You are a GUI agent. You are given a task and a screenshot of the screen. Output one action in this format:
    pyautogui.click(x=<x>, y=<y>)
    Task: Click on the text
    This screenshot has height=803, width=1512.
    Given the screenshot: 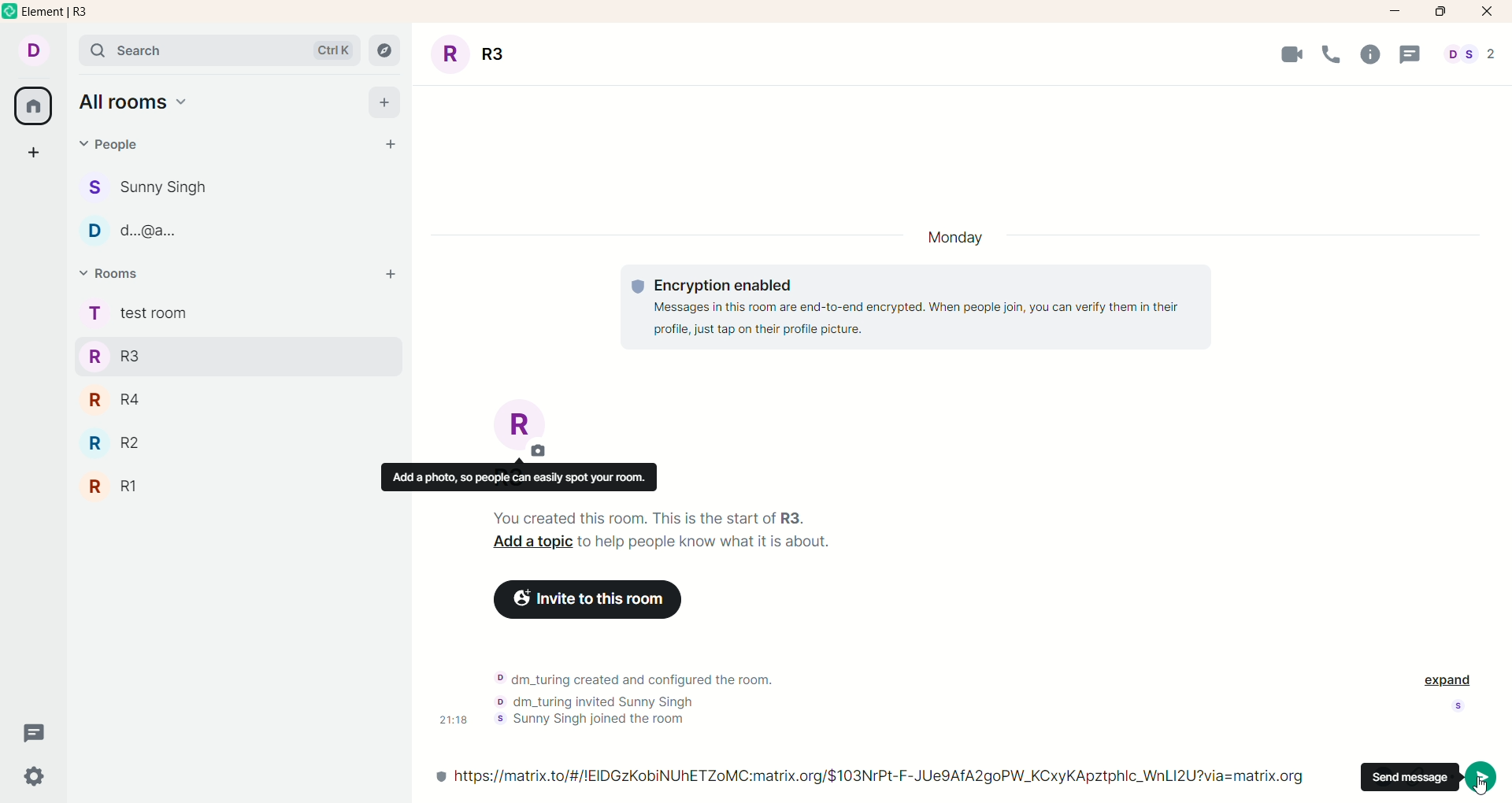 What is the action you would take?
    pyautogui.click(x=665, y=534)
    